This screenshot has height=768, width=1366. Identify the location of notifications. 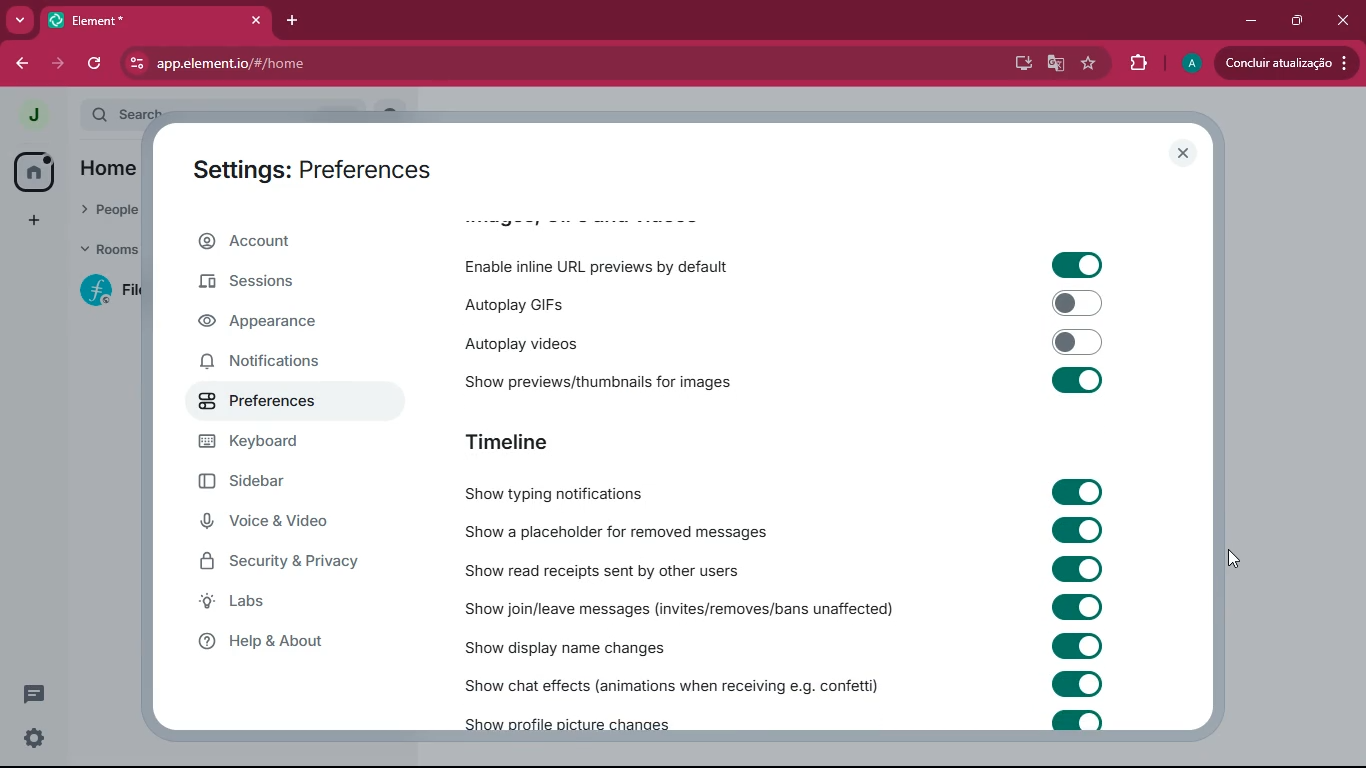
(275, 362).